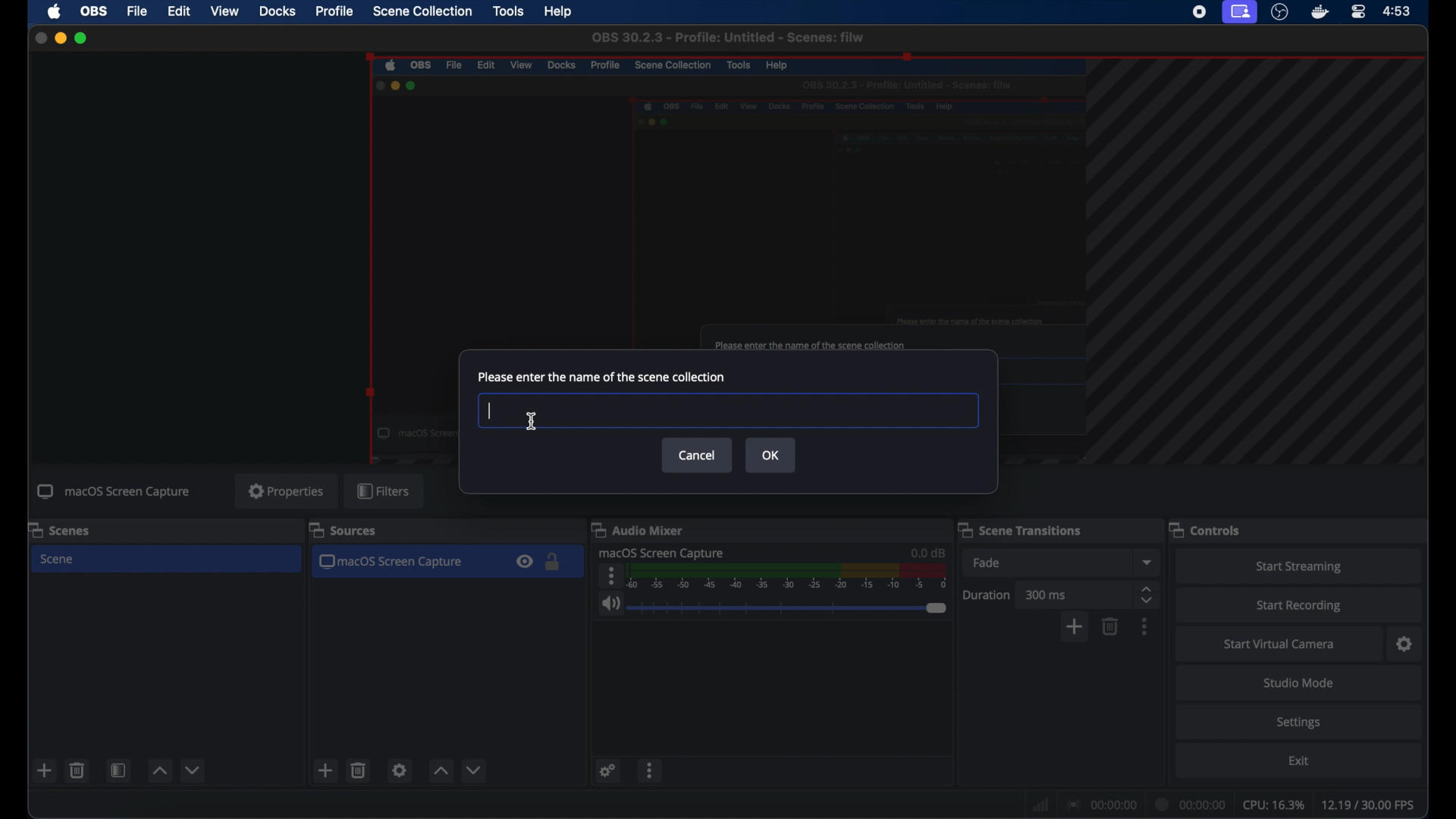 Image resolution: width=1456 pixels, height=819 pixels. I want to click on scenes, so click(61, 529).